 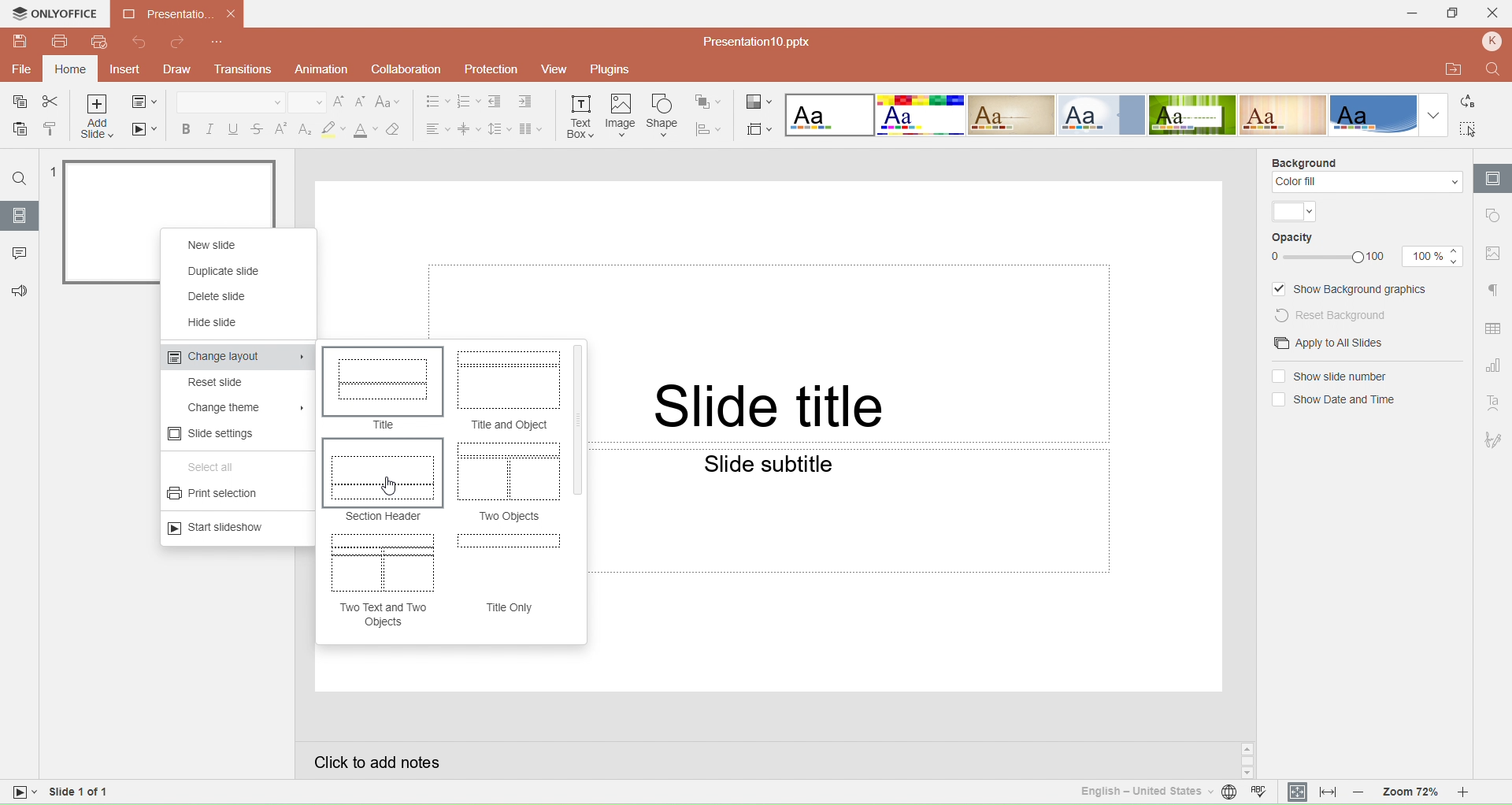 I want to click on Home, so click(x=70, y=69).